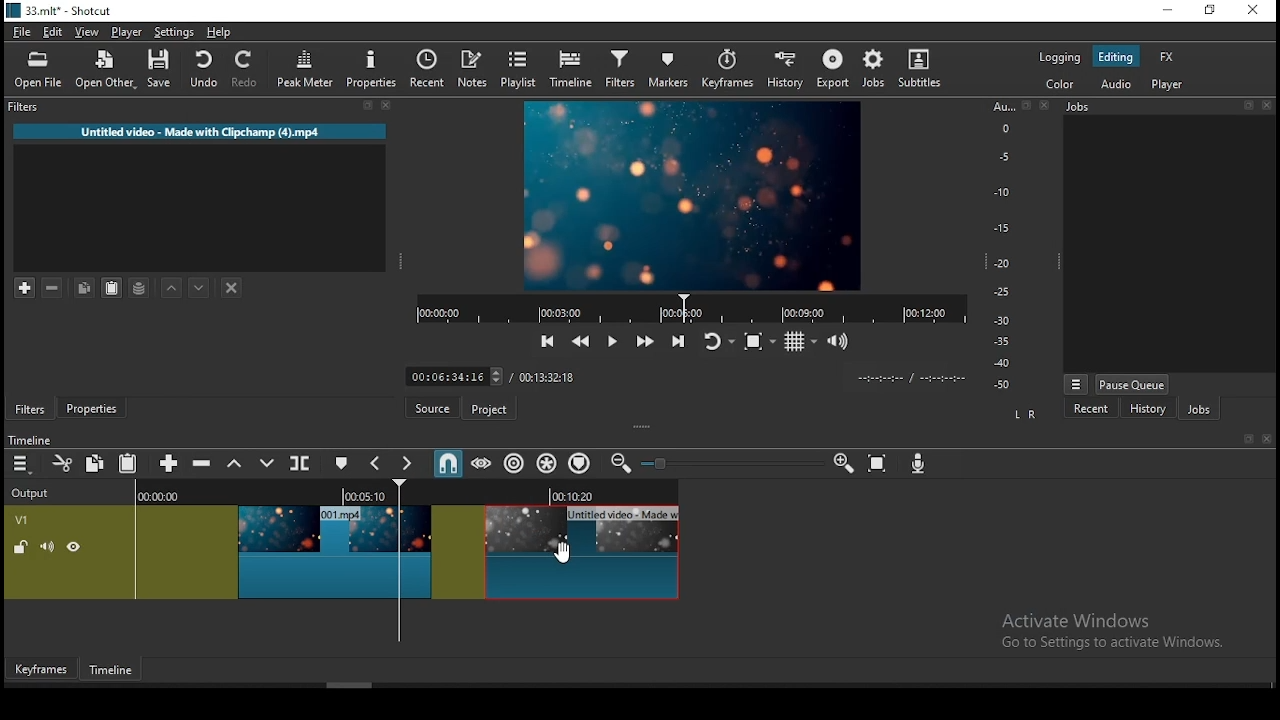  What do you see at coordinates (233, 289) in the screenshot?
I see `deselct filter` at bounding box center [233, 289].